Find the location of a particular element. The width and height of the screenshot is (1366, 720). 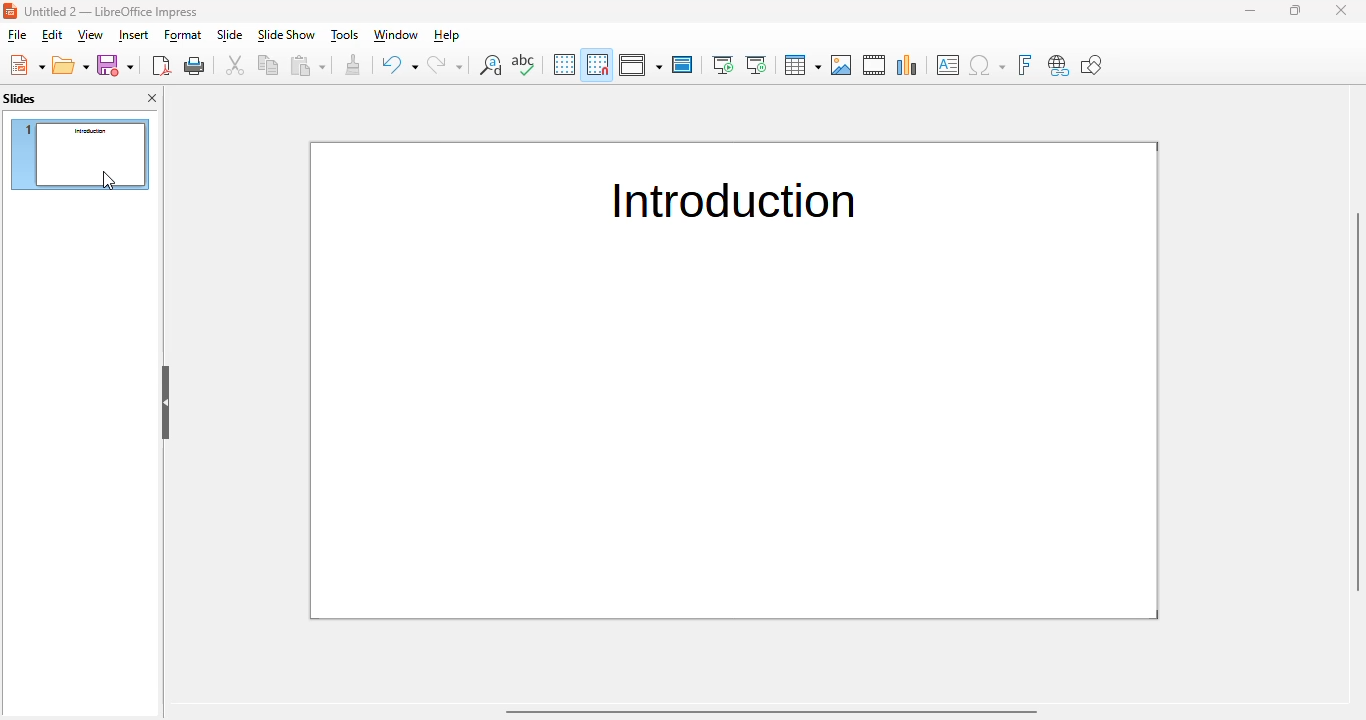

close pane is located at coordinates (152, 97).